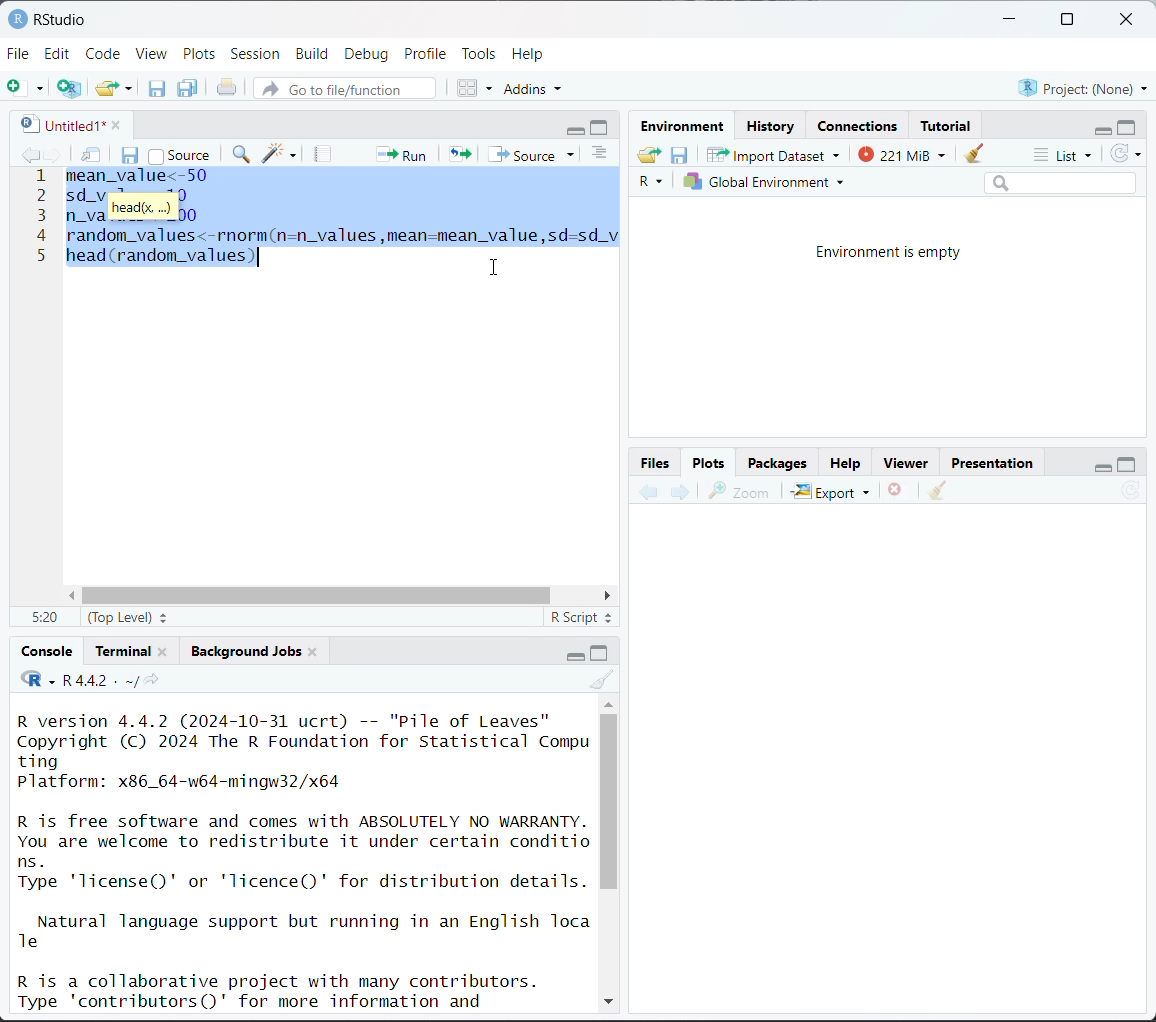 This screenshot has height=1022, width=1156. Describe the element at coordinates (40, 217) in the screenshot. I see `line number` at that location.